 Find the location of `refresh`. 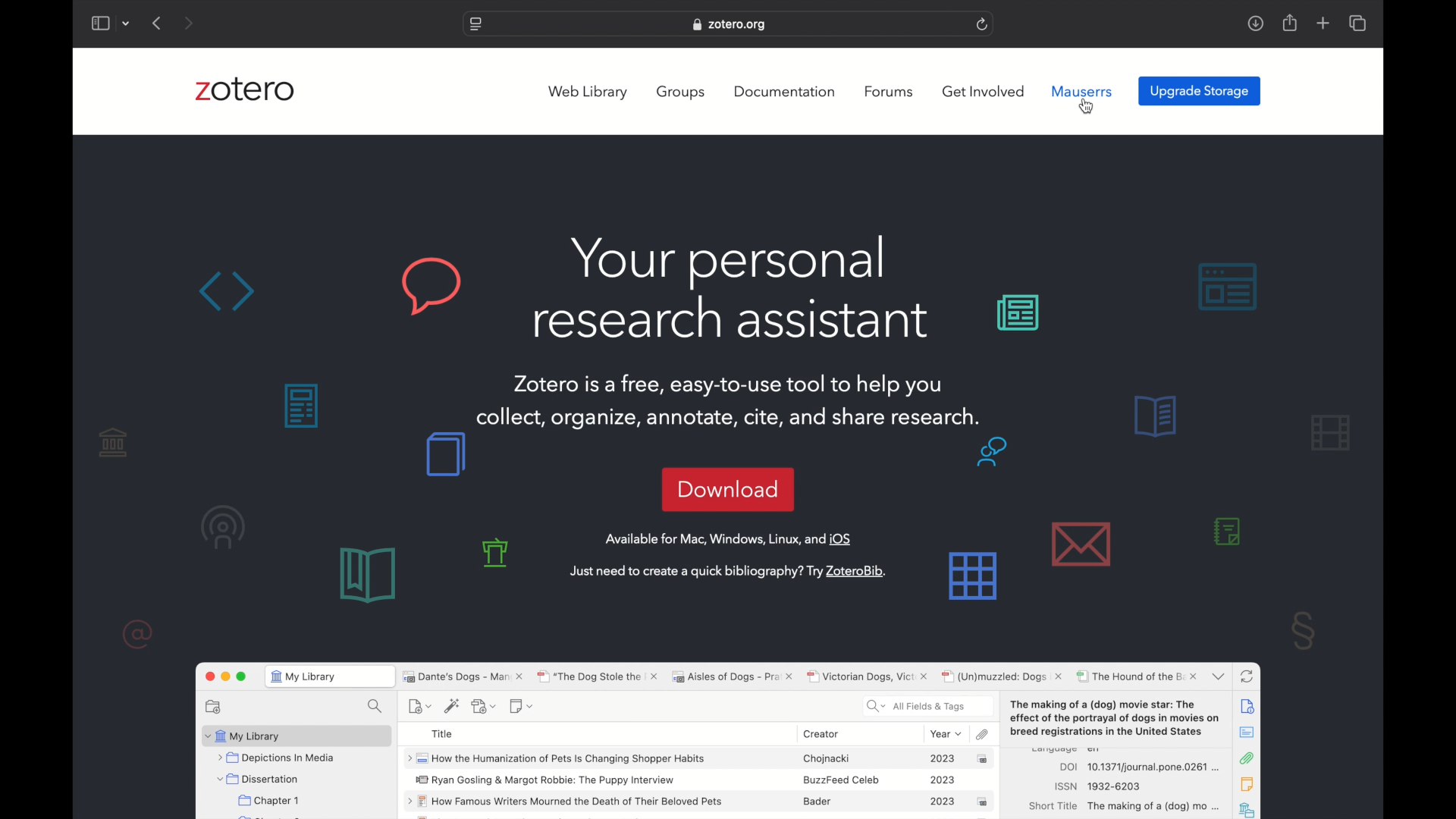

refresh is located at coordinates (982, 25).